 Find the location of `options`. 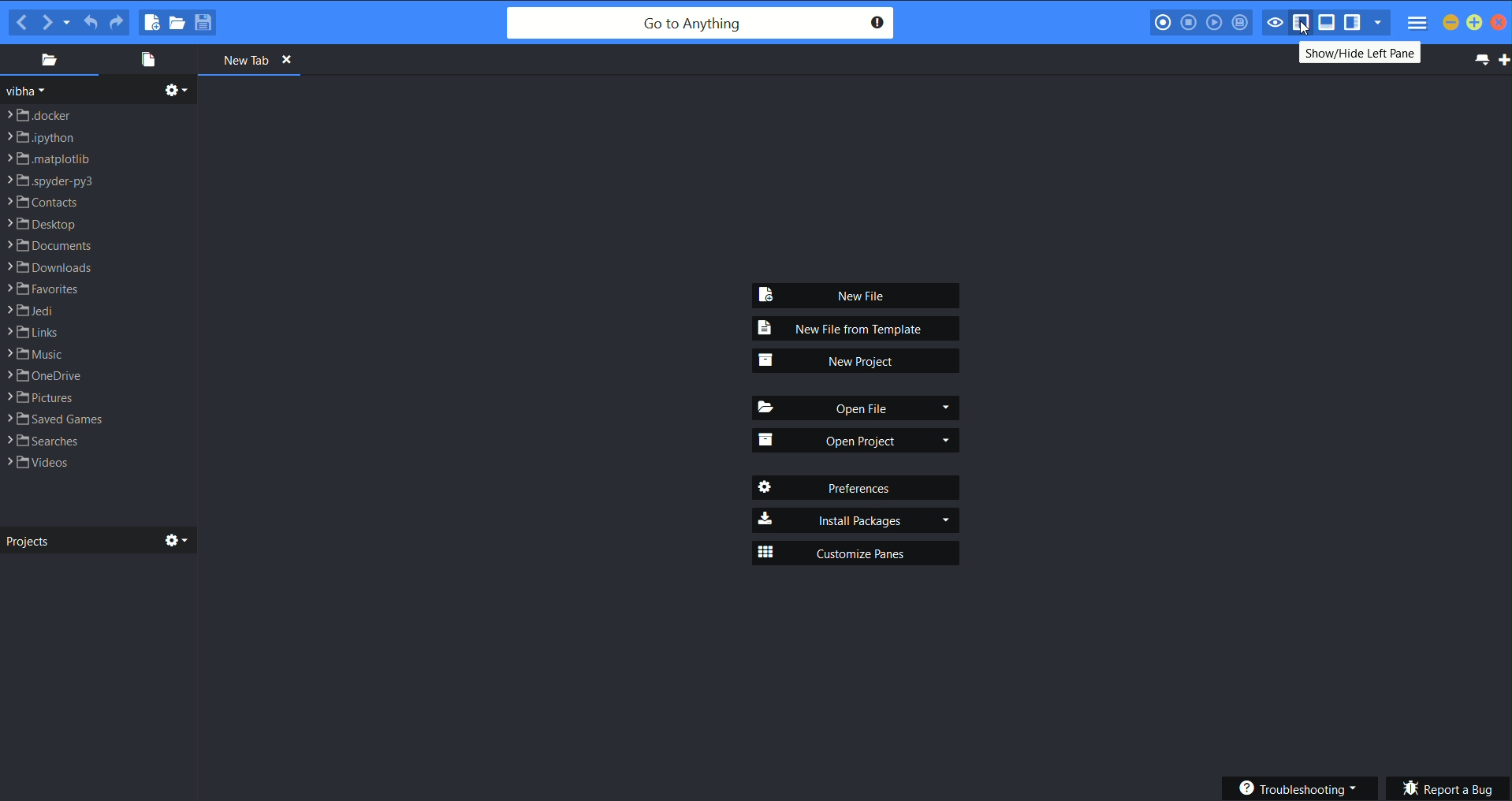

options is located at coordinates (180, 91).